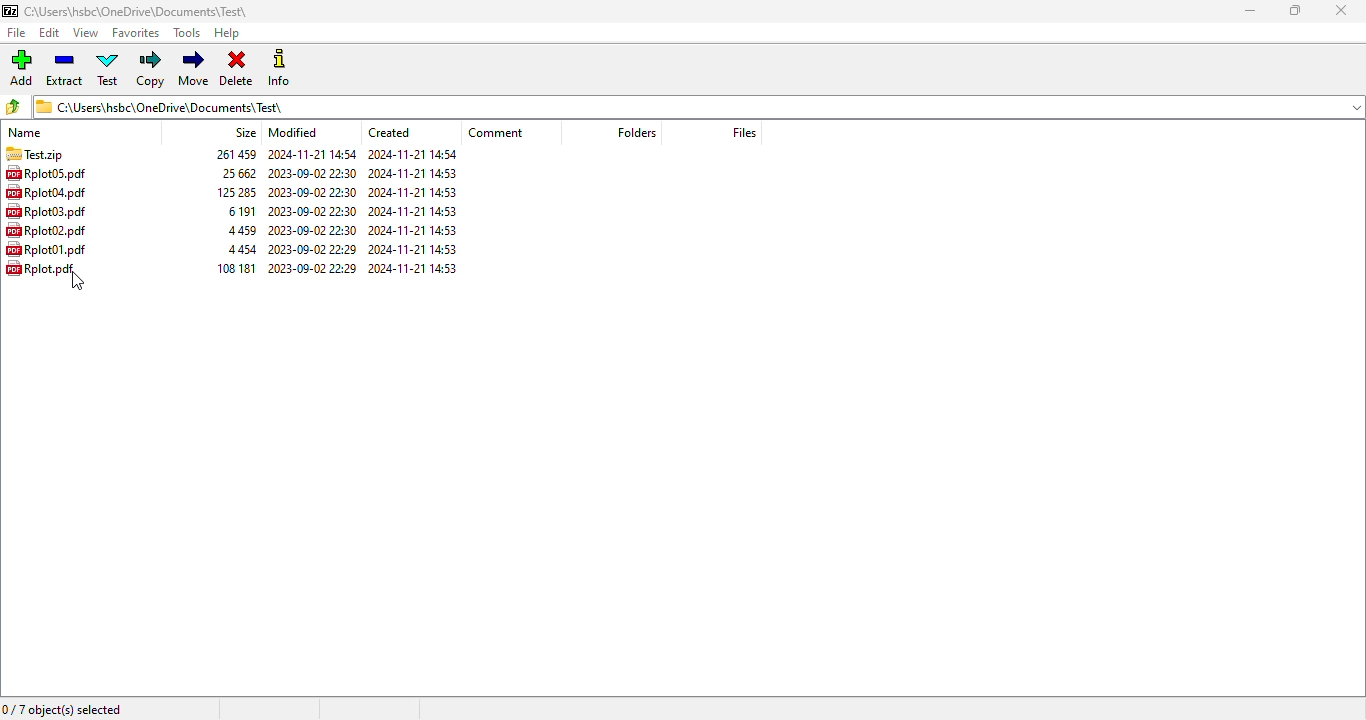 The image size is (1366, 720). What do you see at coordinates (49, 211) in the screenshot?
I see ` Rplot03.pdf` at bounding box center [49, 211].